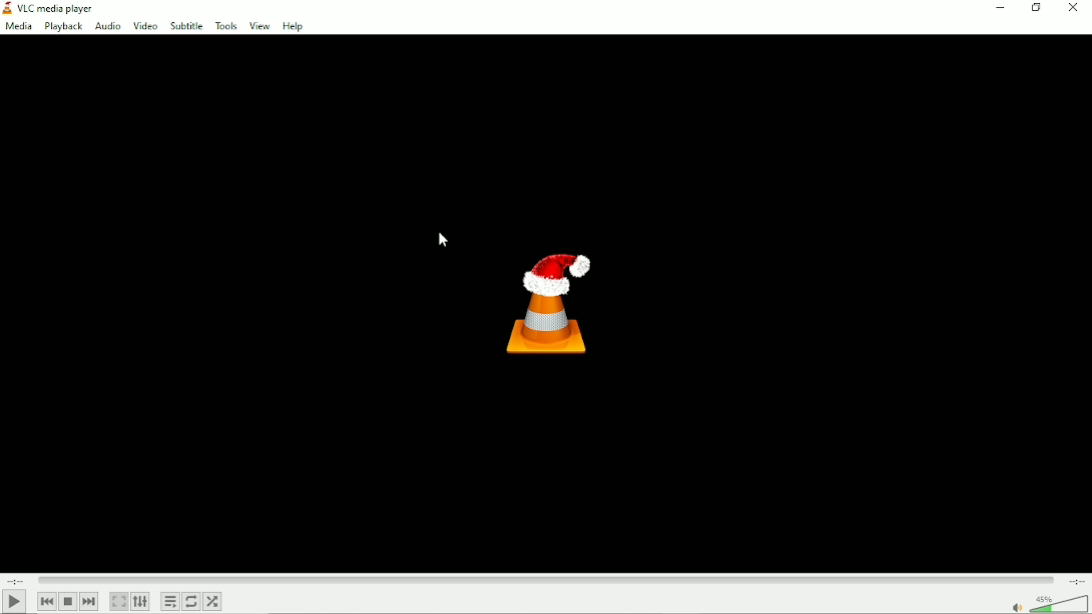 The width and height of the screenshot is (1092, 614). What do you see at coordinates (292, 26) in the screenshot?
I see `Help` at bounding box center [292, 26].